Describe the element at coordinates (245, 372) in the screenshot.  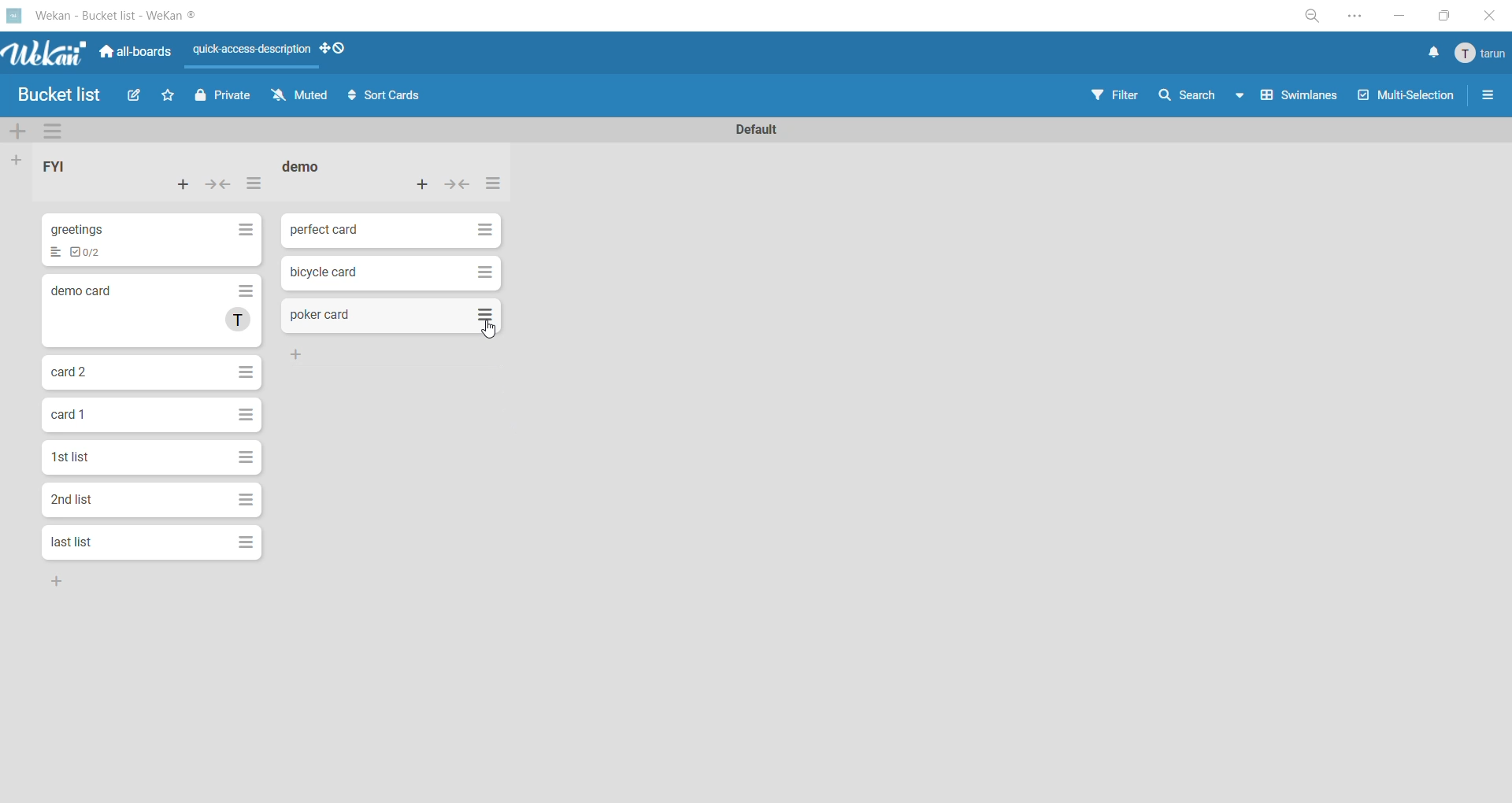
I see `Hamburger` at that location.